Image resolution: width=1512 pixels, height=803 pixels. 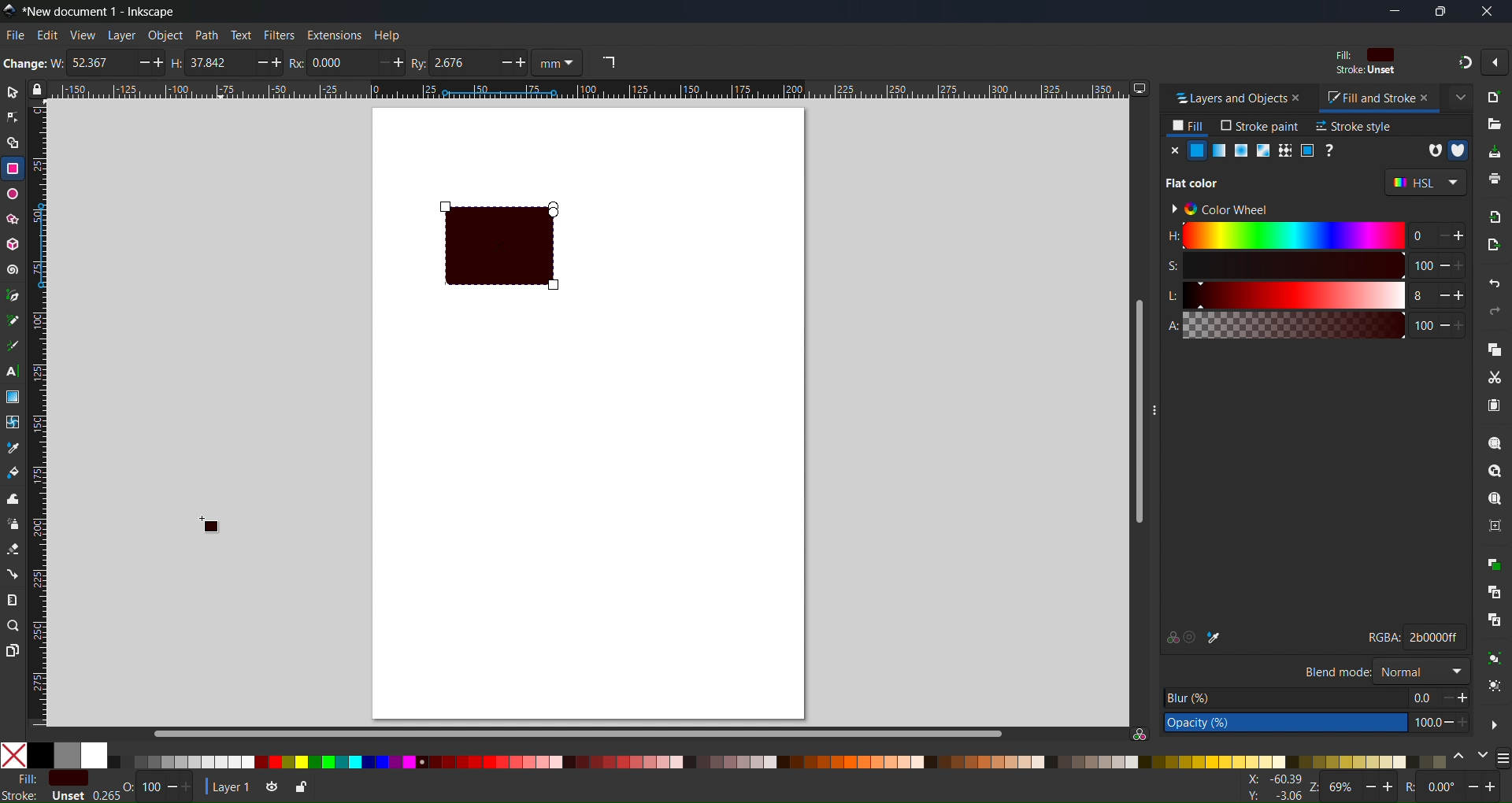 I want to click on Calligraphy tool, so click(x=13, y=343).